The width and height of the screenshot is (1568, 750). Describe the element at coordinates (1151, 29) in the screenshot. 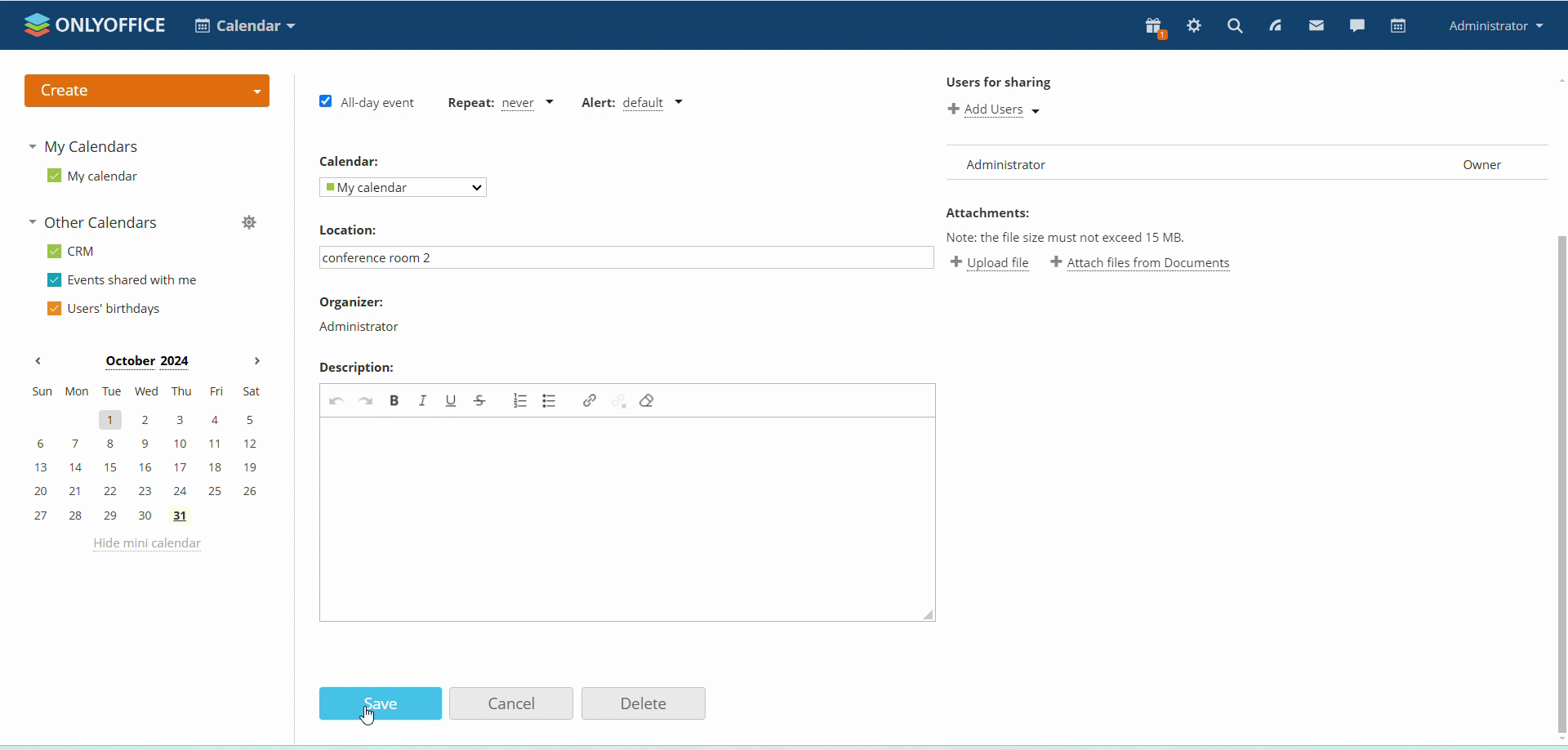

I see `present` at that location.